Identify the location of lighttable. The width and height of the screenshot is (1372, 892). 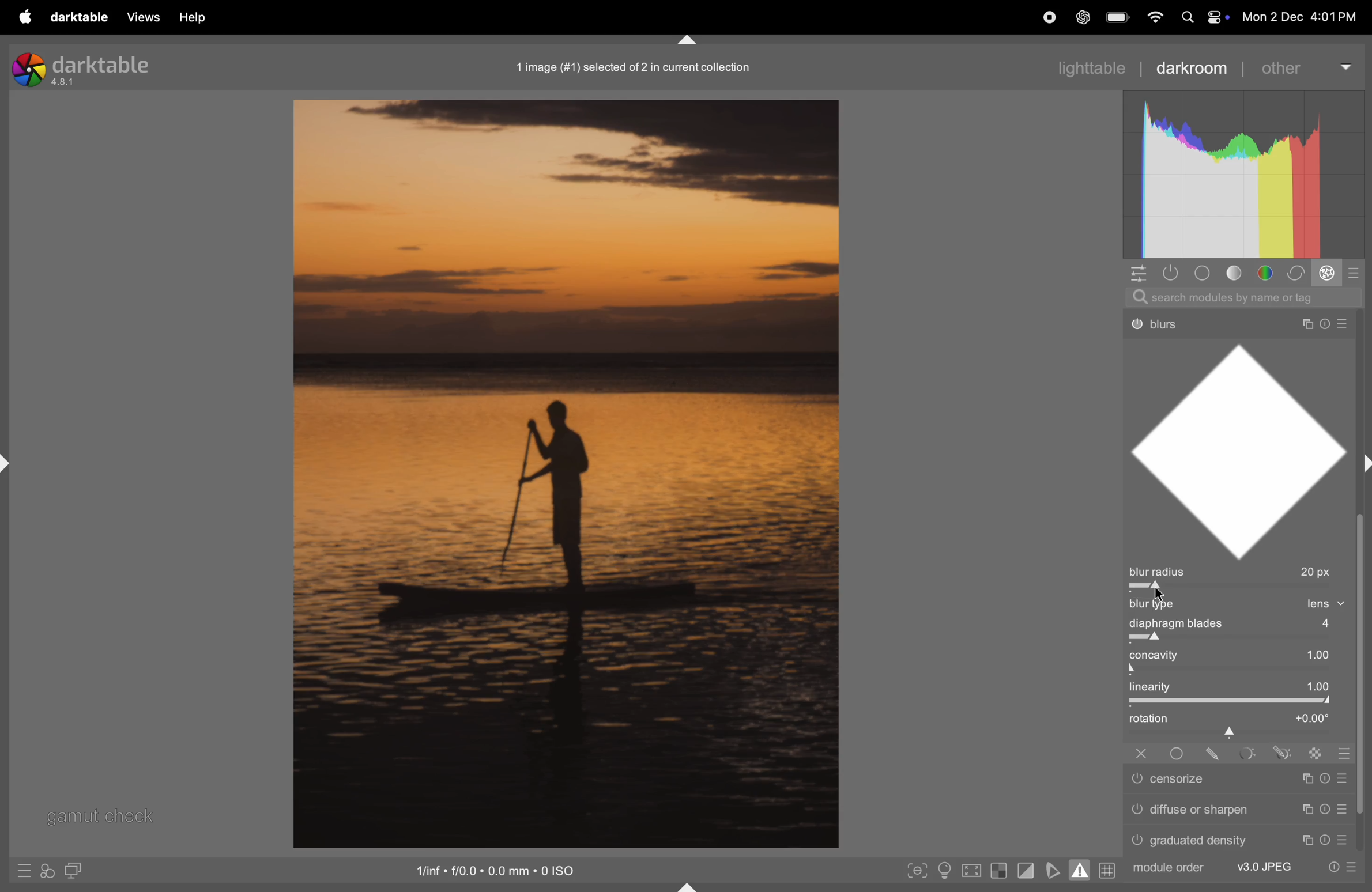
(1065, 67).